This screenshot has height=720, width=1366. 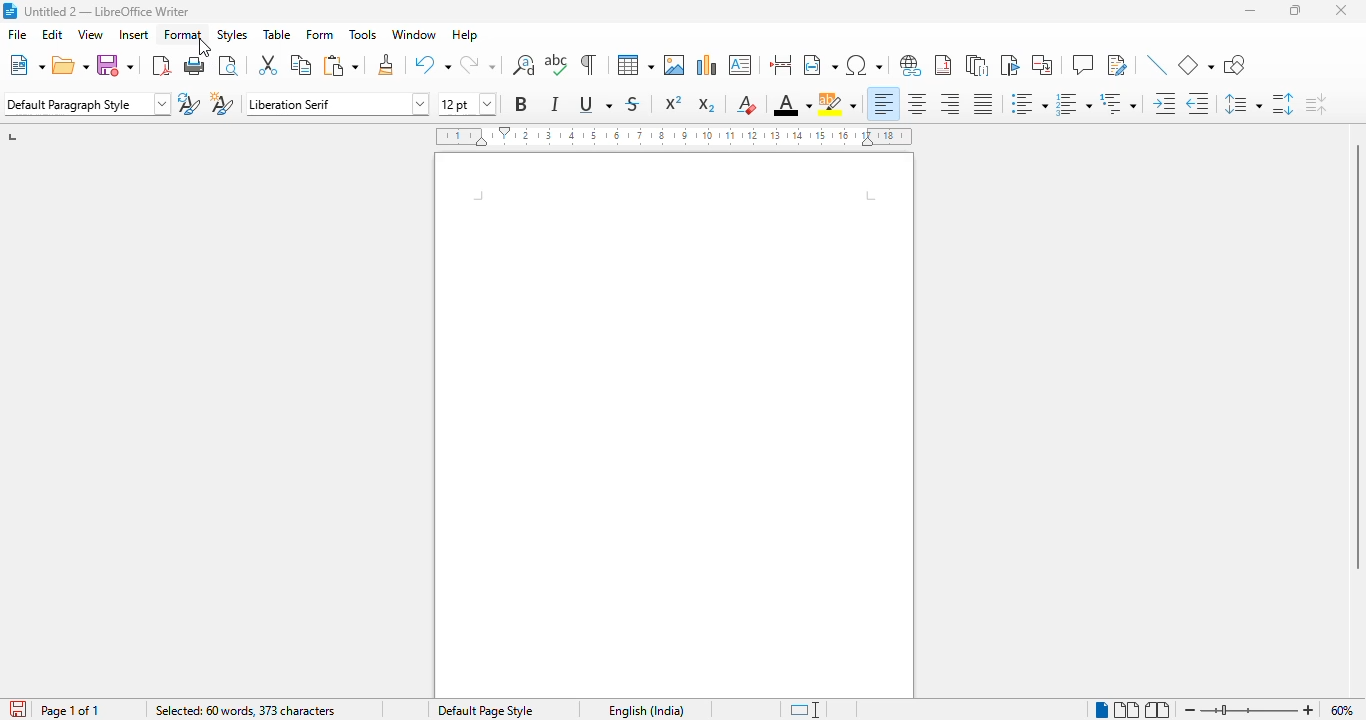 I want to click on insert cross-reference, so click(x=1041, y=65).